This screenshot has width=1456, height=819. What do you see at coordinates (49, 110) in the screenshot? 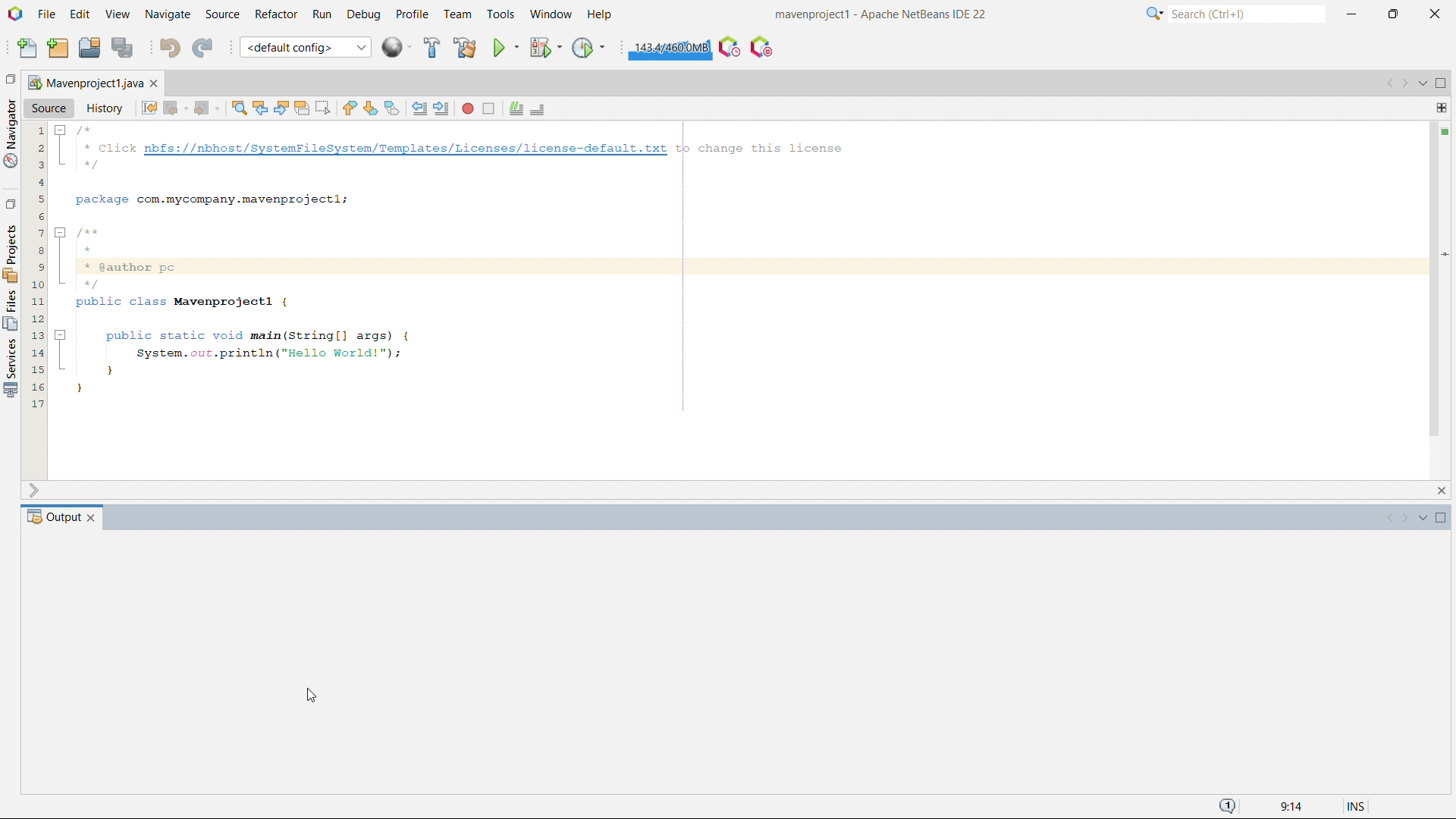
I see `source` at bounding box center [49, 110].